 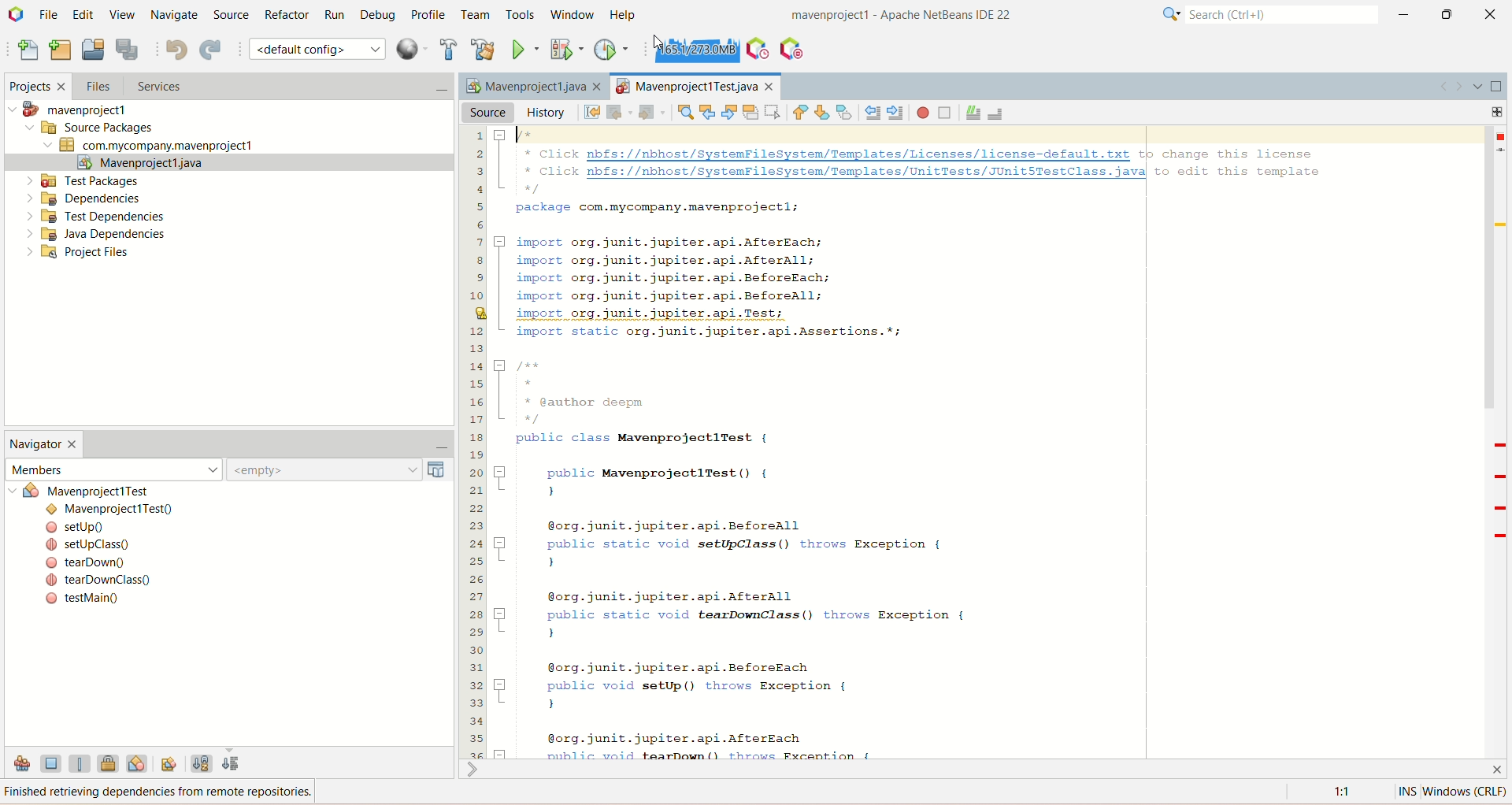 What do you see at coordinates (213, 51) in the screenshot?
I see `redo` at bounding box center [213, 51].